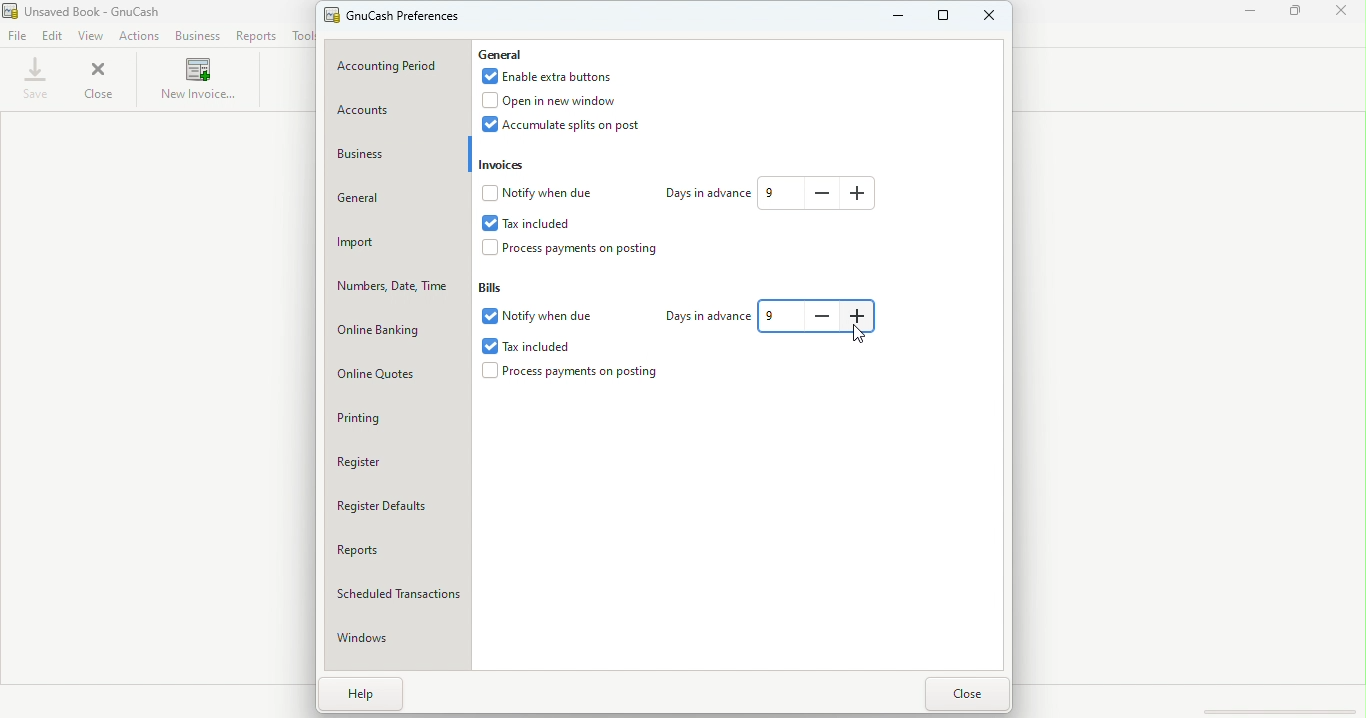  What do you see at coordinates (53, 37) in the screenshot?
I see `Edit` at bounding box center [53, 37].